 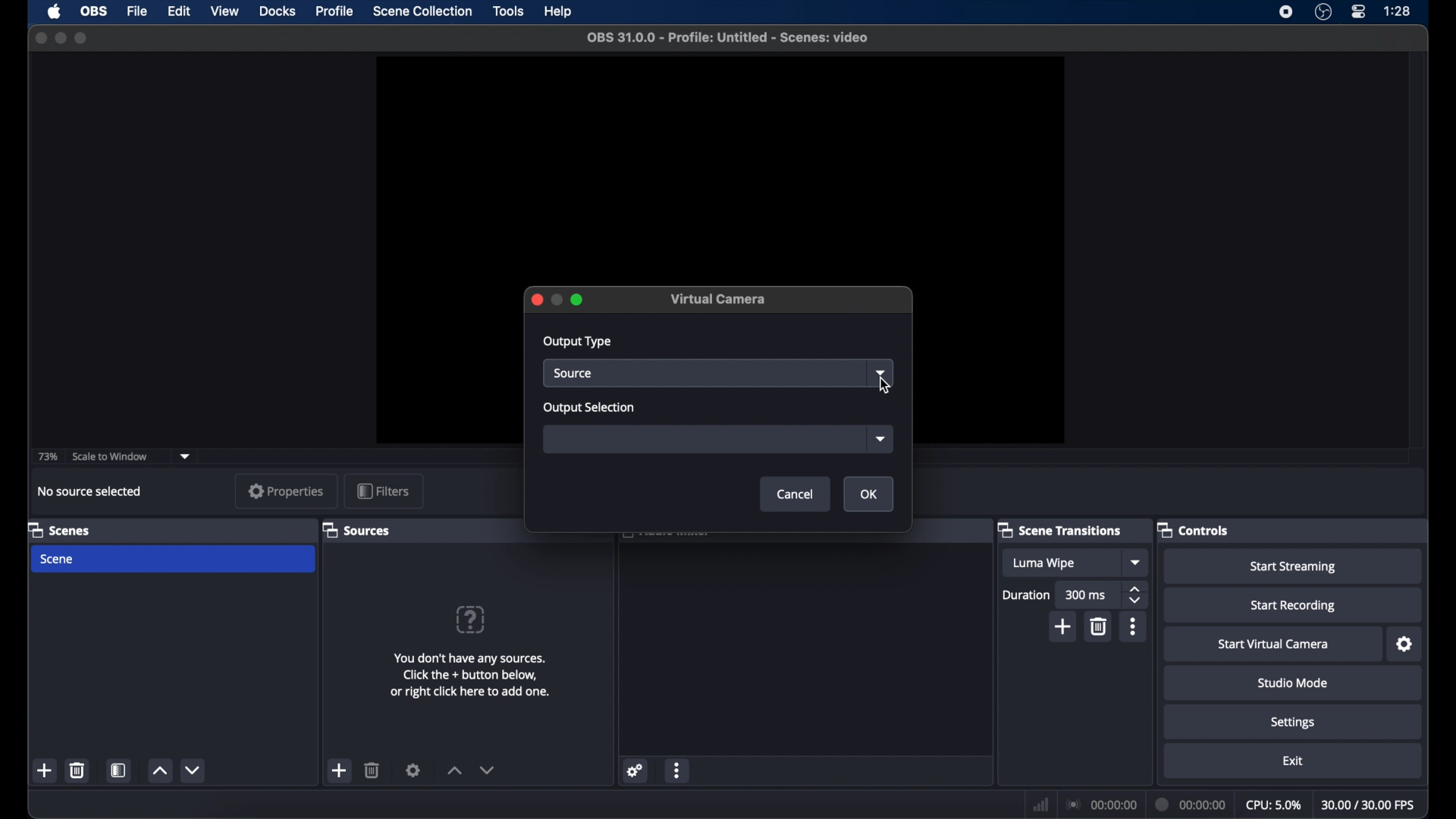 What do you see at coordinates (383, 491) in the screenshot?
I see `filters` at bounding box center [383, 491].